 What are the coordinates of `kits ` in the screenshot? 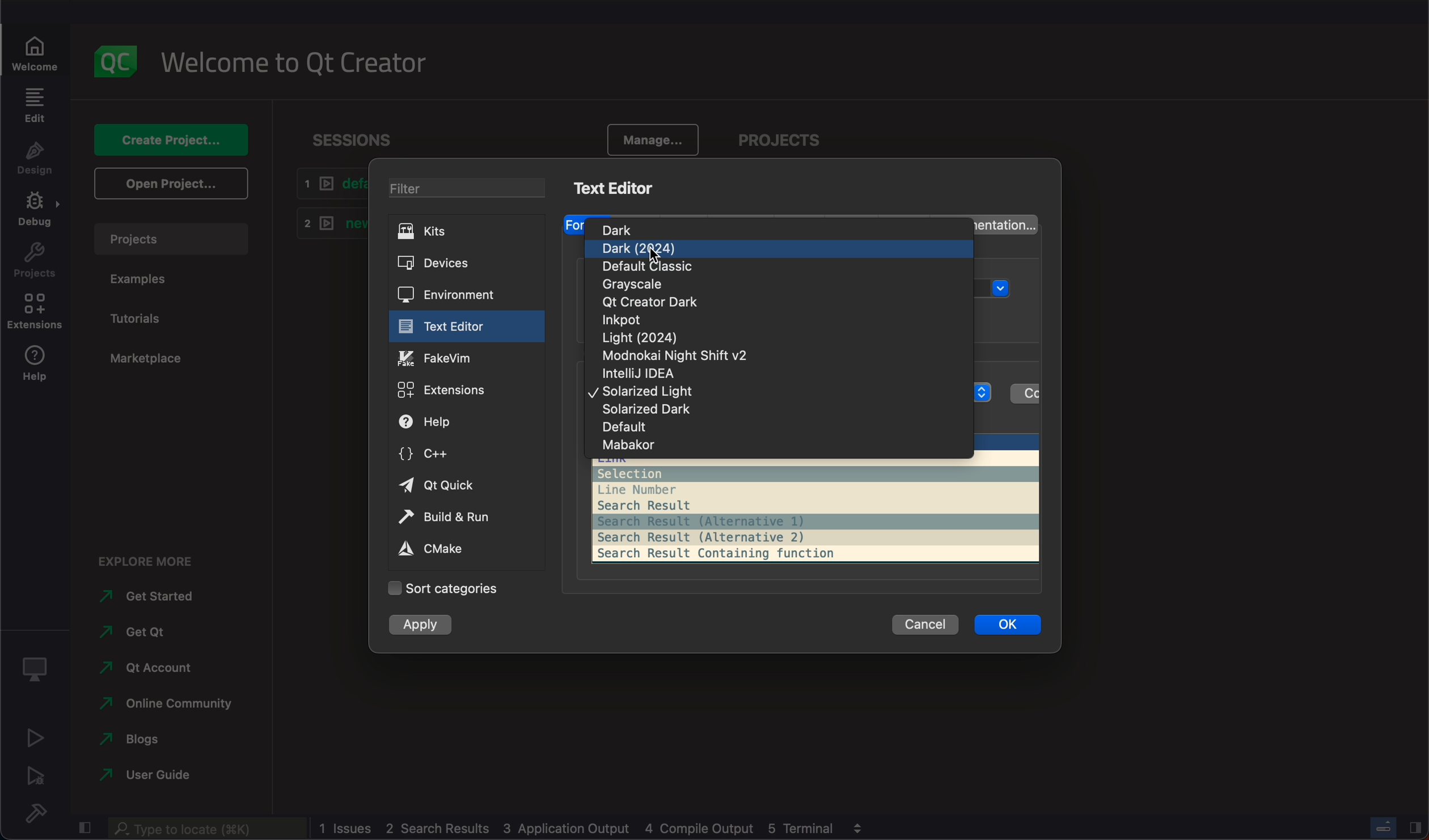 It's located at (623, 186).